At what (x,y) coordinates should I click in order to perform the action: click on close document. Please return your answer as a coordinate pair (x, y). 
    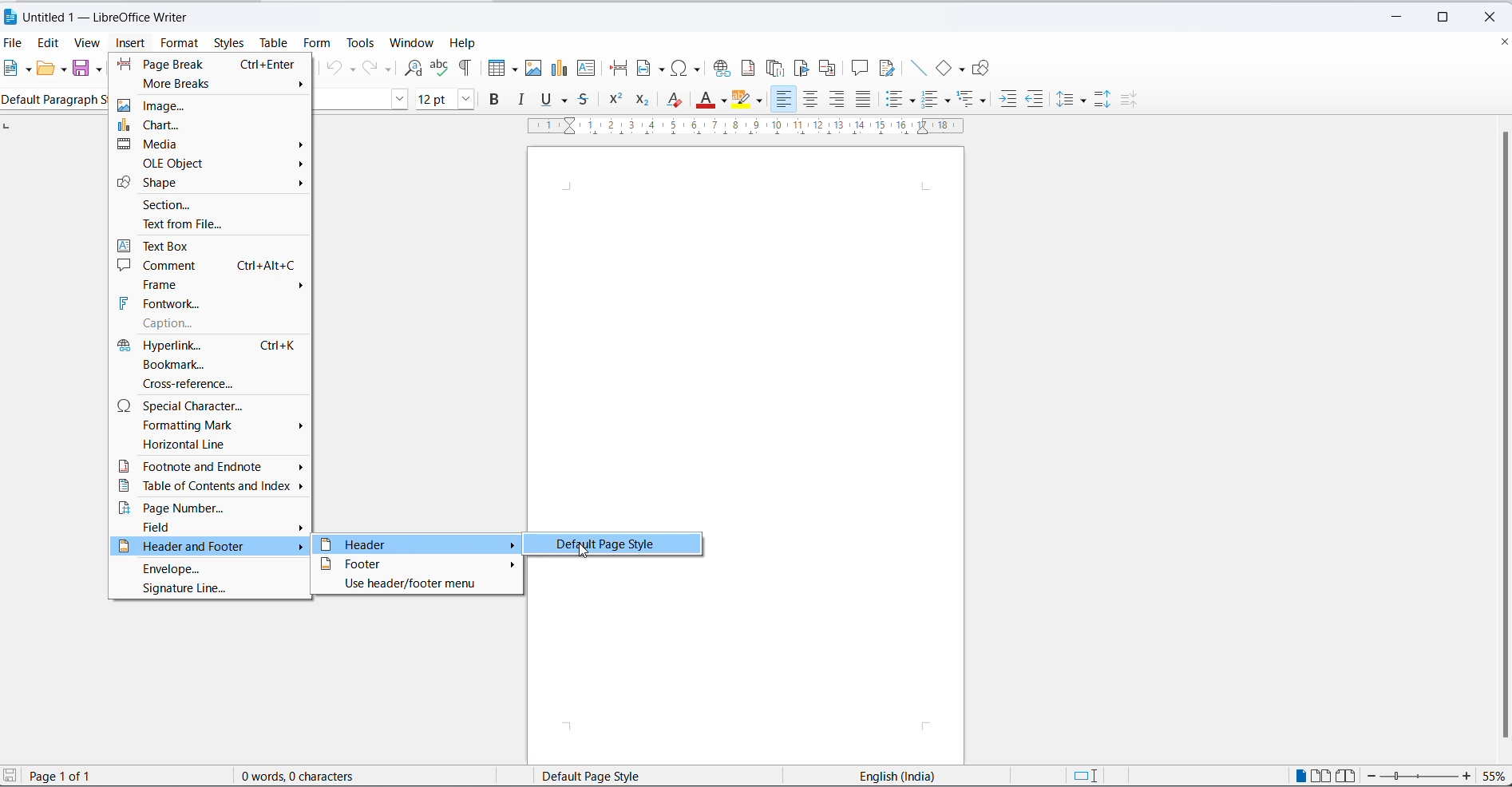
    Looking at the image, I should click on (1502, 41).